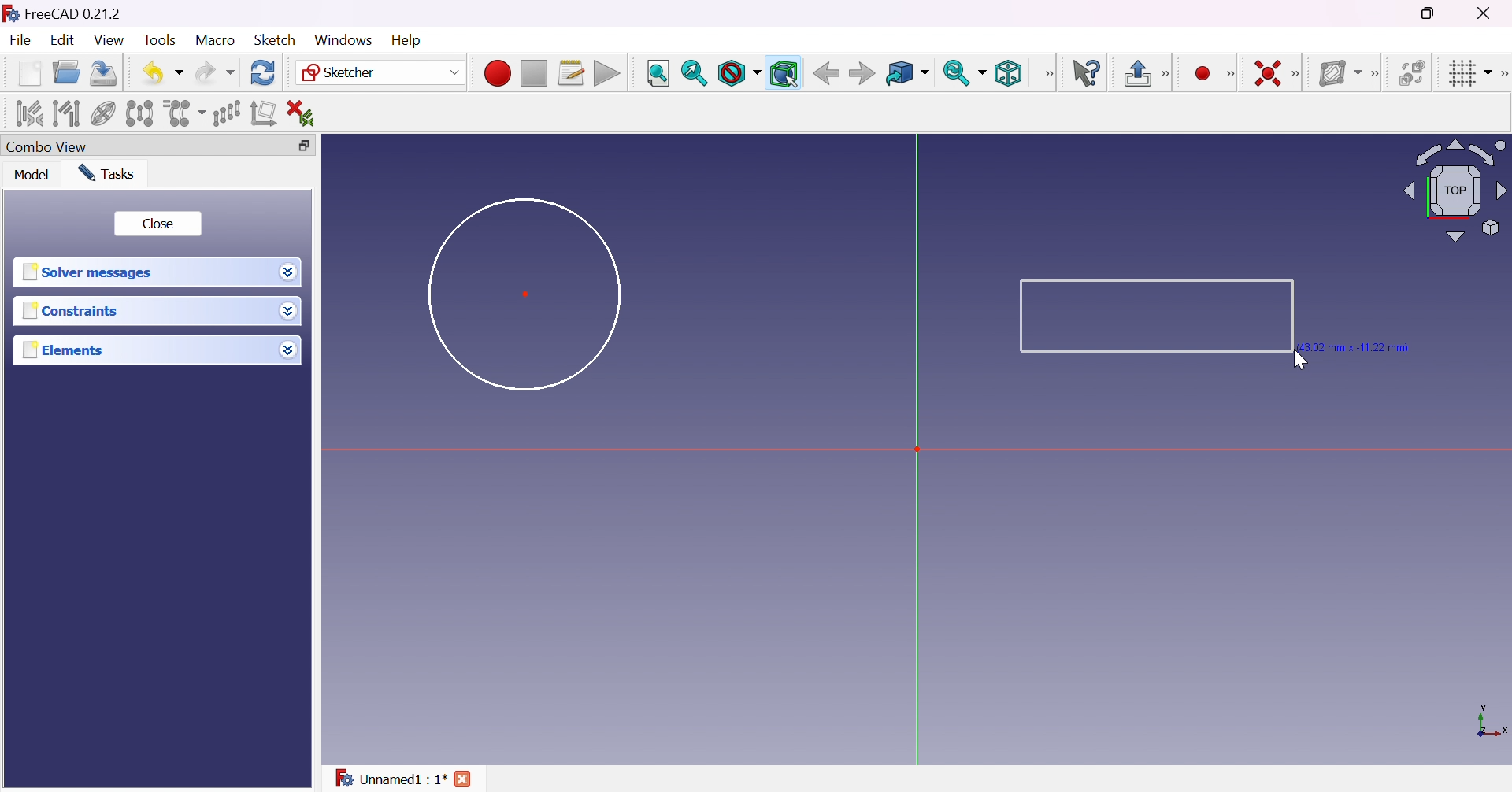 The width and height of the screenshot is (1512, 792). I want to click on Refresh, so click(263, 72).